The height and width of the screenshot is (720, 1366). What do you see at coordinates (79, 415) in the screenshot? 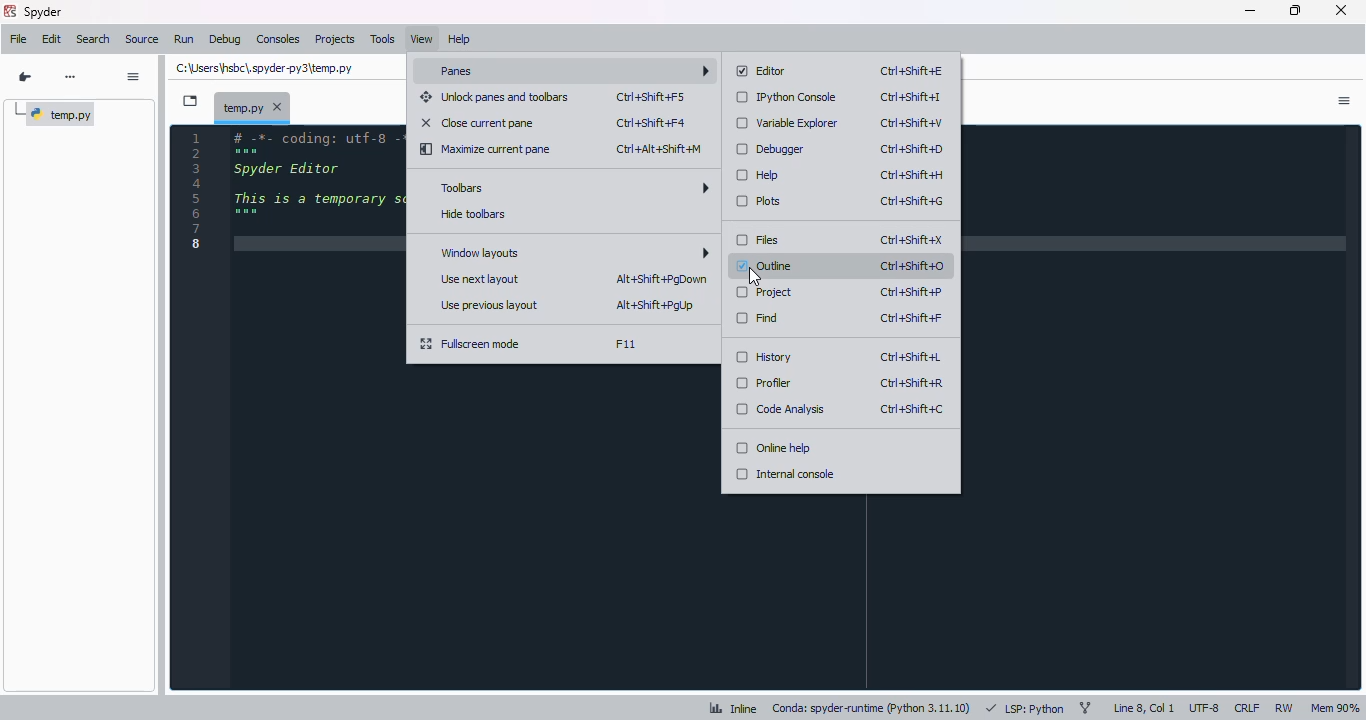
I see `outline explorer panel` at bounding box center [79, 415].